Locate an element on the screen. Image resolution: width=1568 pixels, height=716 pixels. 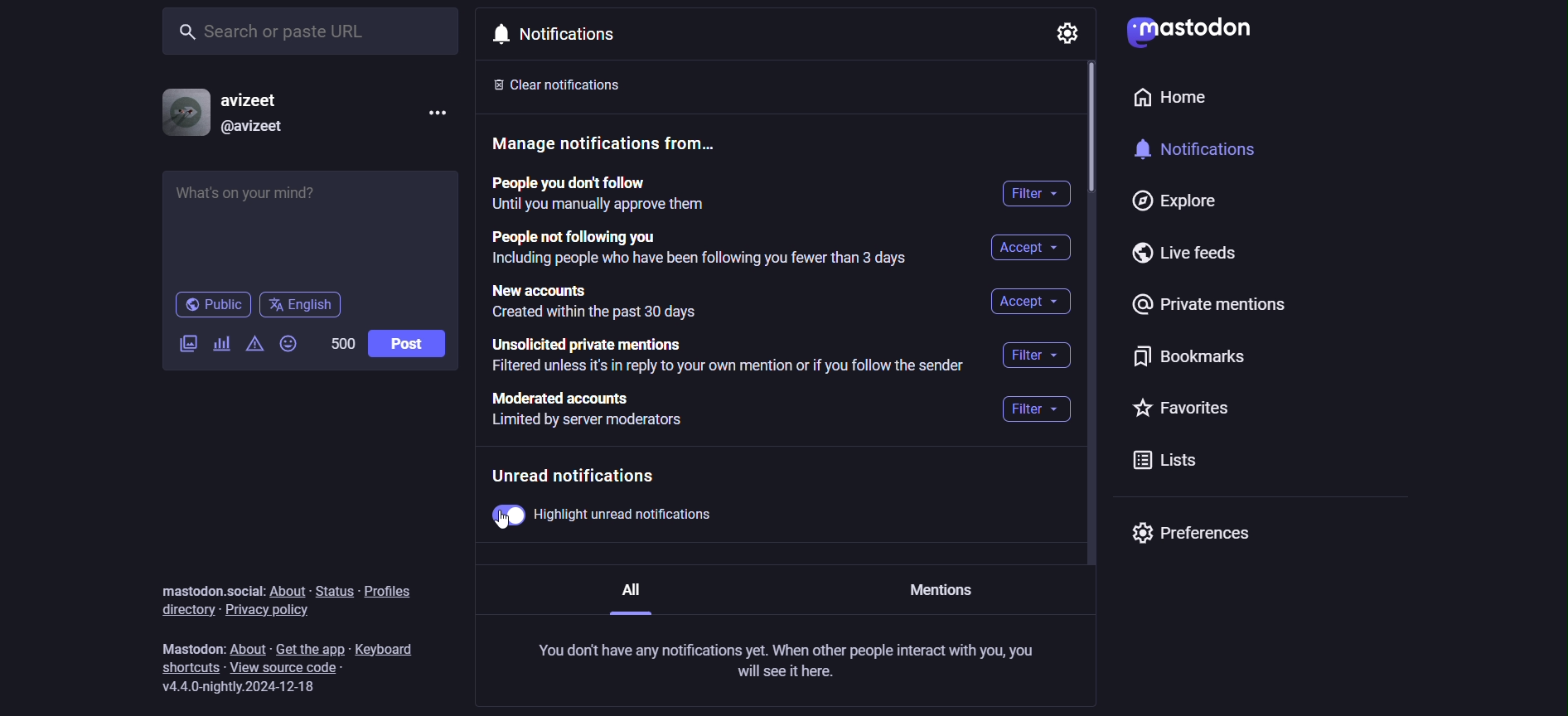
profile picture is located at coordinates (182, 112).